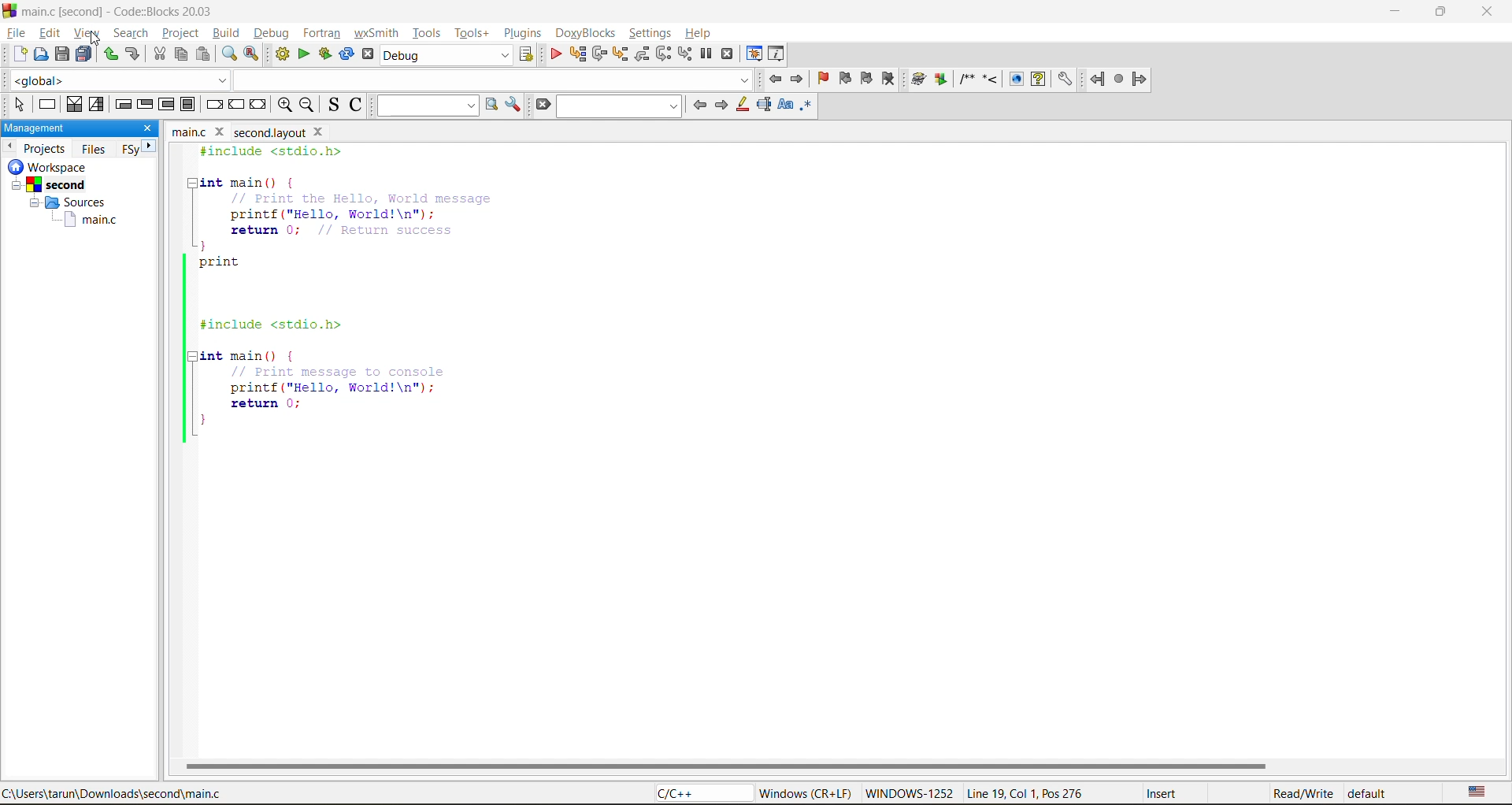 This screenshot has height=805, width=1512. Describe the element at coordinates (765, 106) in the screenshot. I see `selected text` at that location.